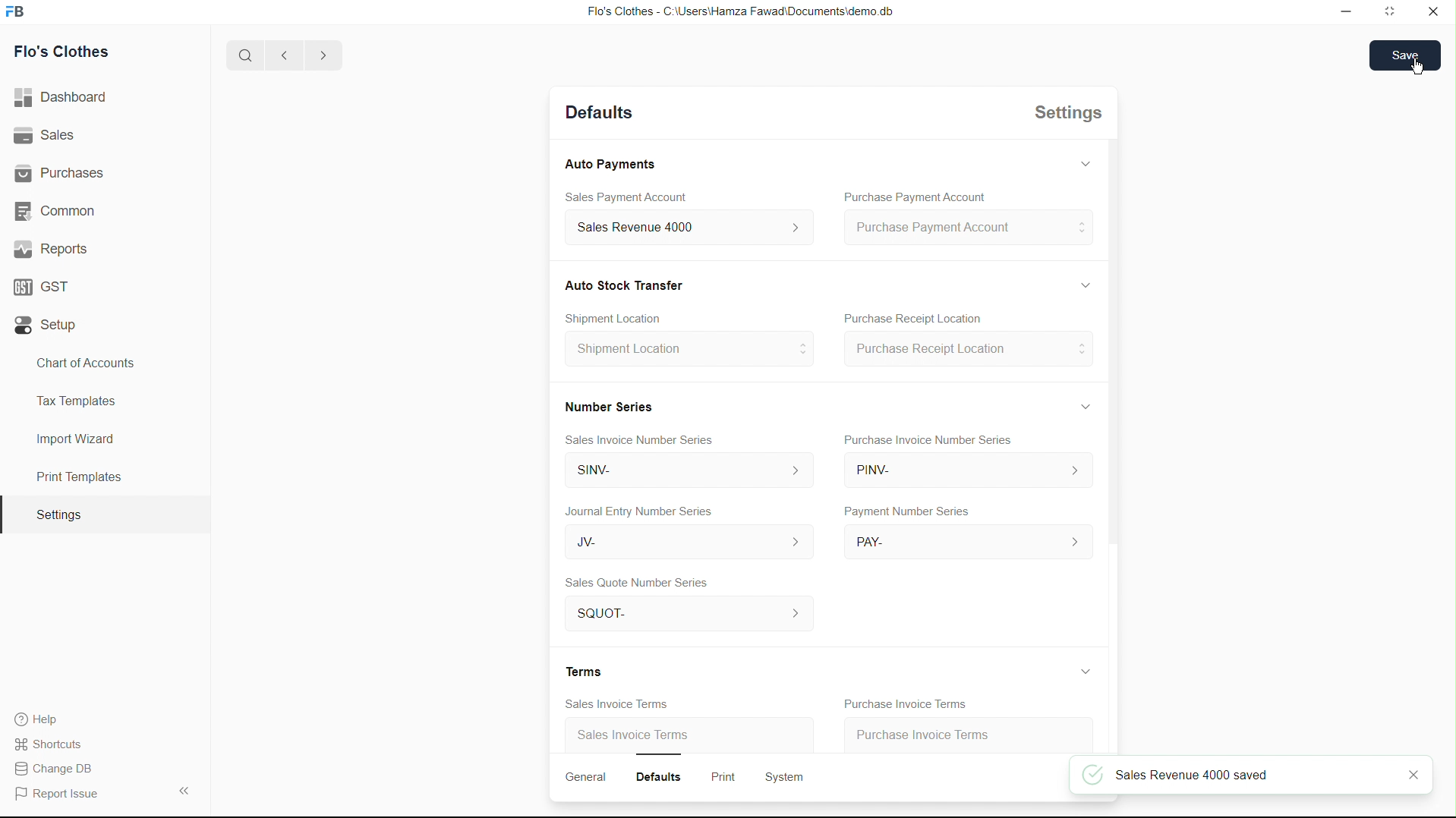 The width and height of the screenshot is (1456, 818). I want to click on Collapse, so click(183, 790).